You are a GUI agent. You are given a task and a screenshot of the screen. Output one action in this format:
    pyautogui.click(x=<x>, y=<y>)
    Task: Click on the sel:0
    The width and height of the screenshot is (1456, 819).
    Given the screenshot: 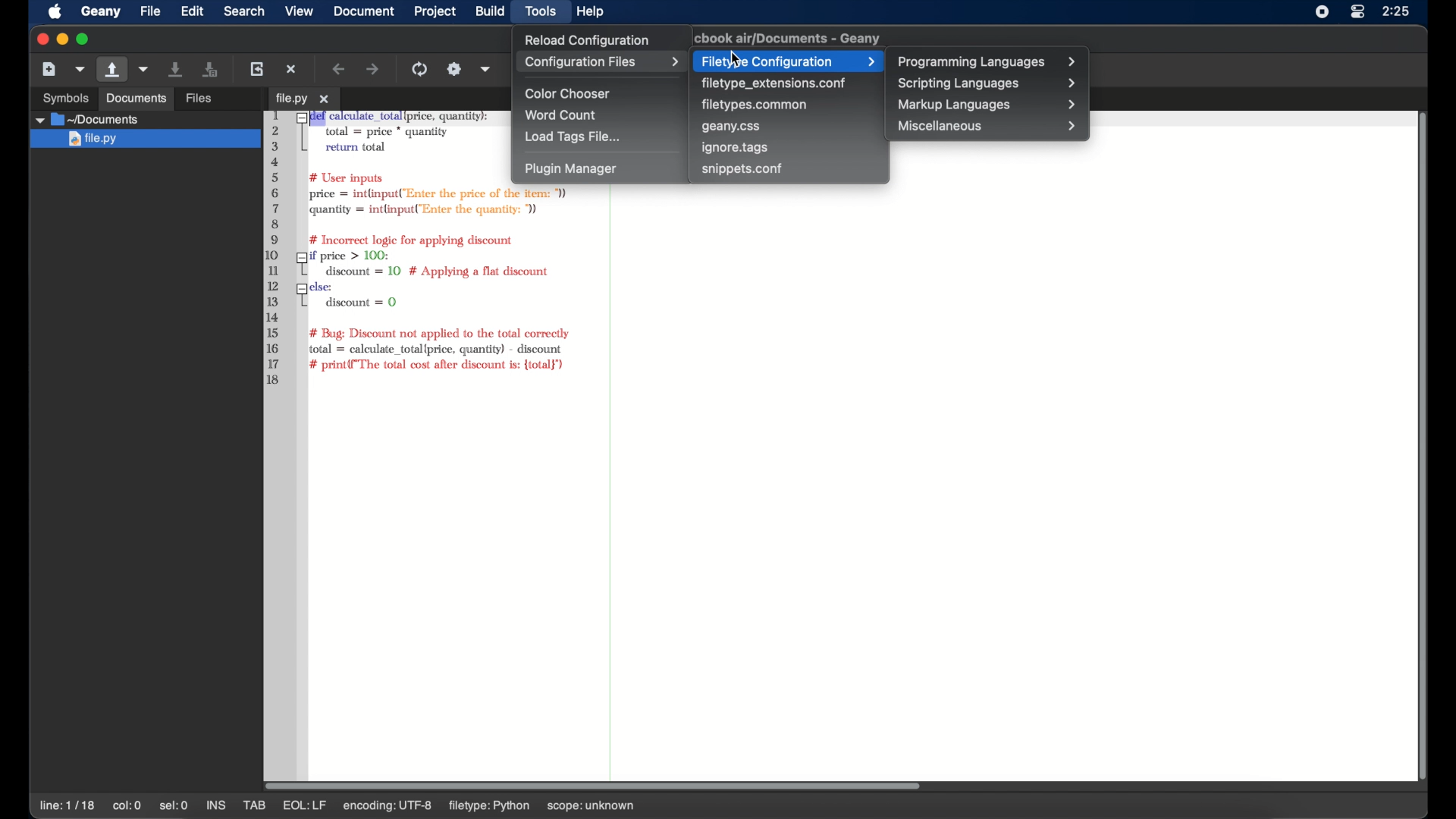 What is the action you would take?
    pyautogui.click(x=174, y=805)
    